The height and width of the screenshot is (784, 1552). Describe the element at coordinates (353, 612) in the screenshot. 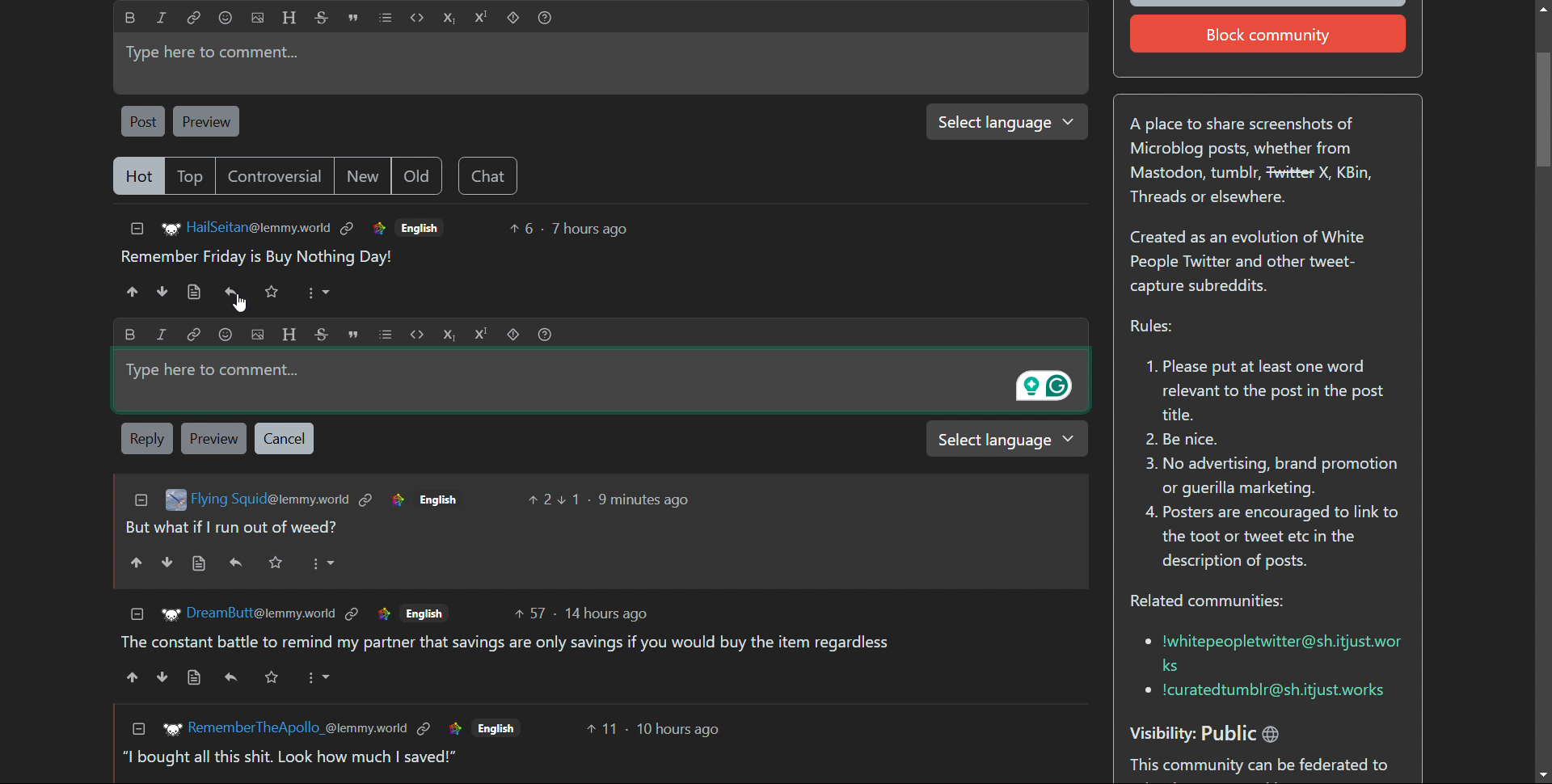

I see `link` at that location.